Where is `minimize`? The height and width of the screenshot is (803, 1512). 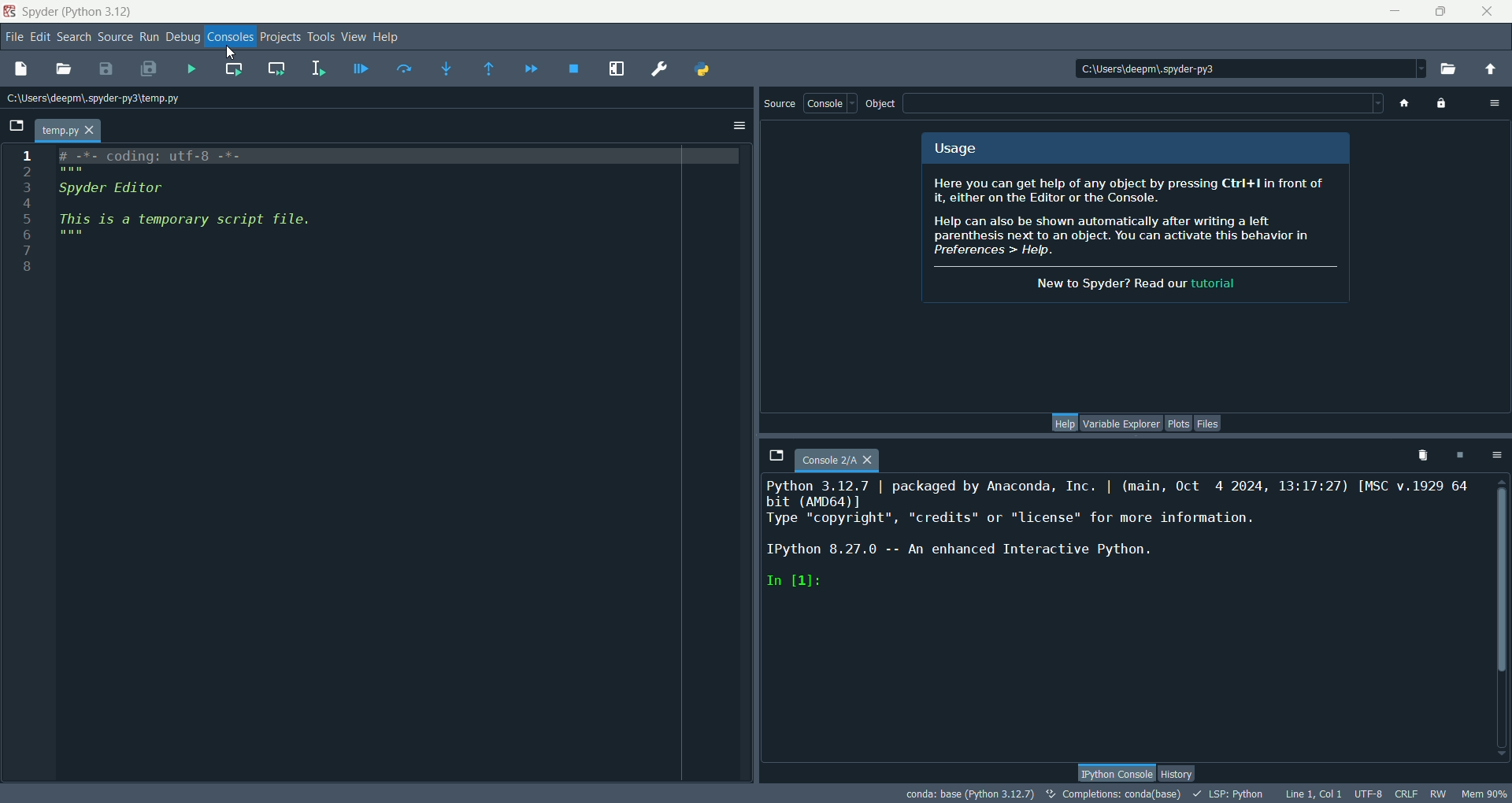 minimize is located at coordinates (1395, 10).